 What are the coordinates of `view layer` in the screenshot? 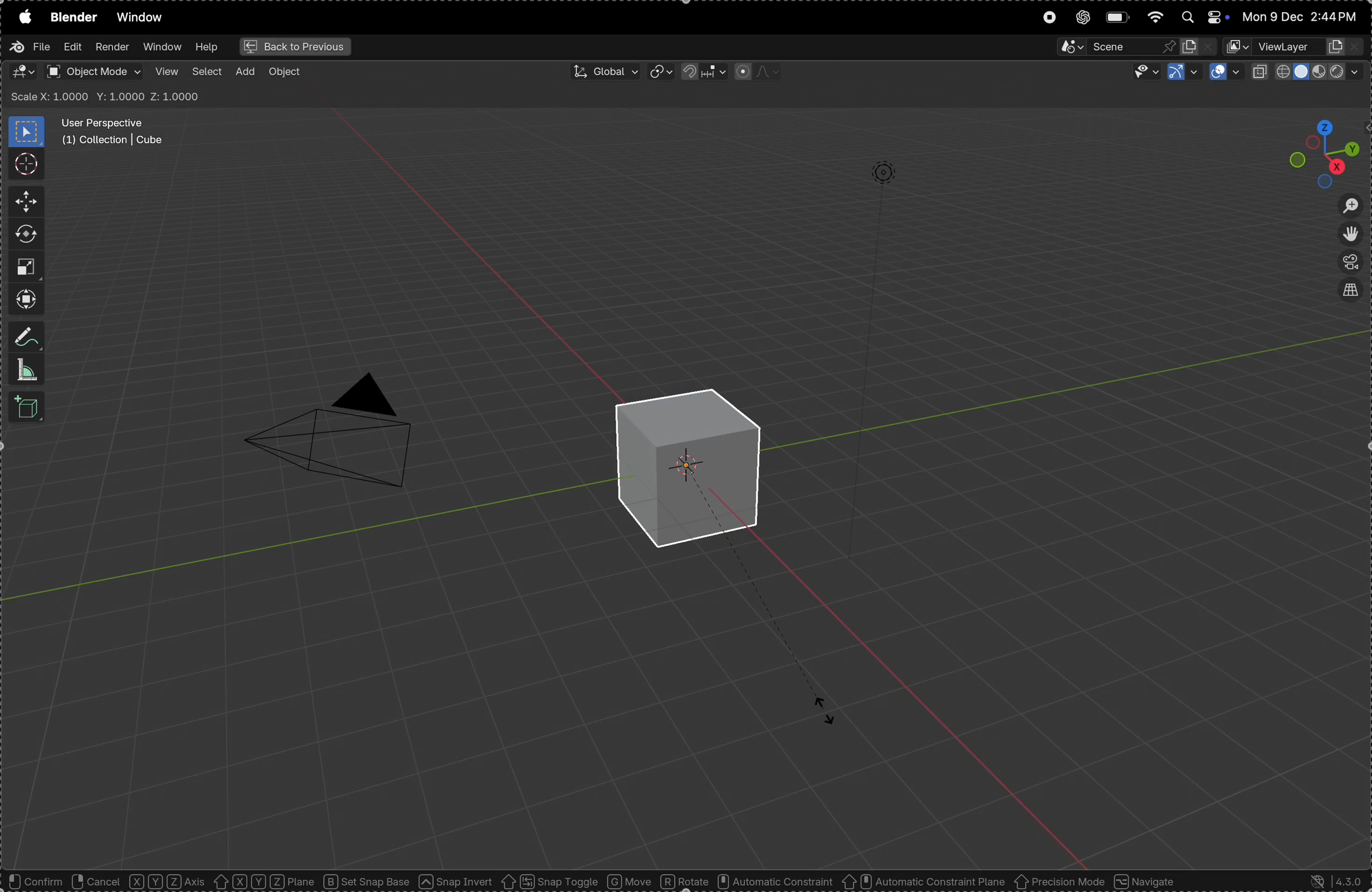 It's located at (1297, 48).